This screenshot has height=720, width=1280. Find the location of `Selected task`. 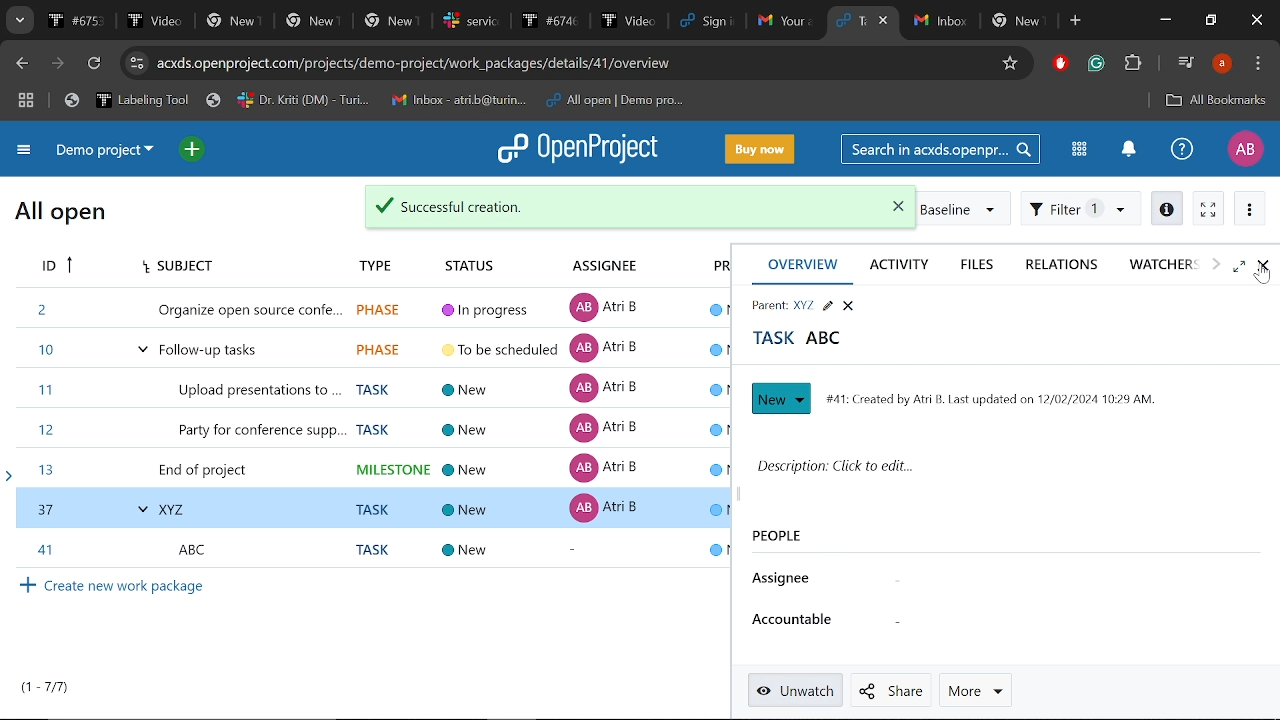

Selected task is located at coordinates (372, 507).